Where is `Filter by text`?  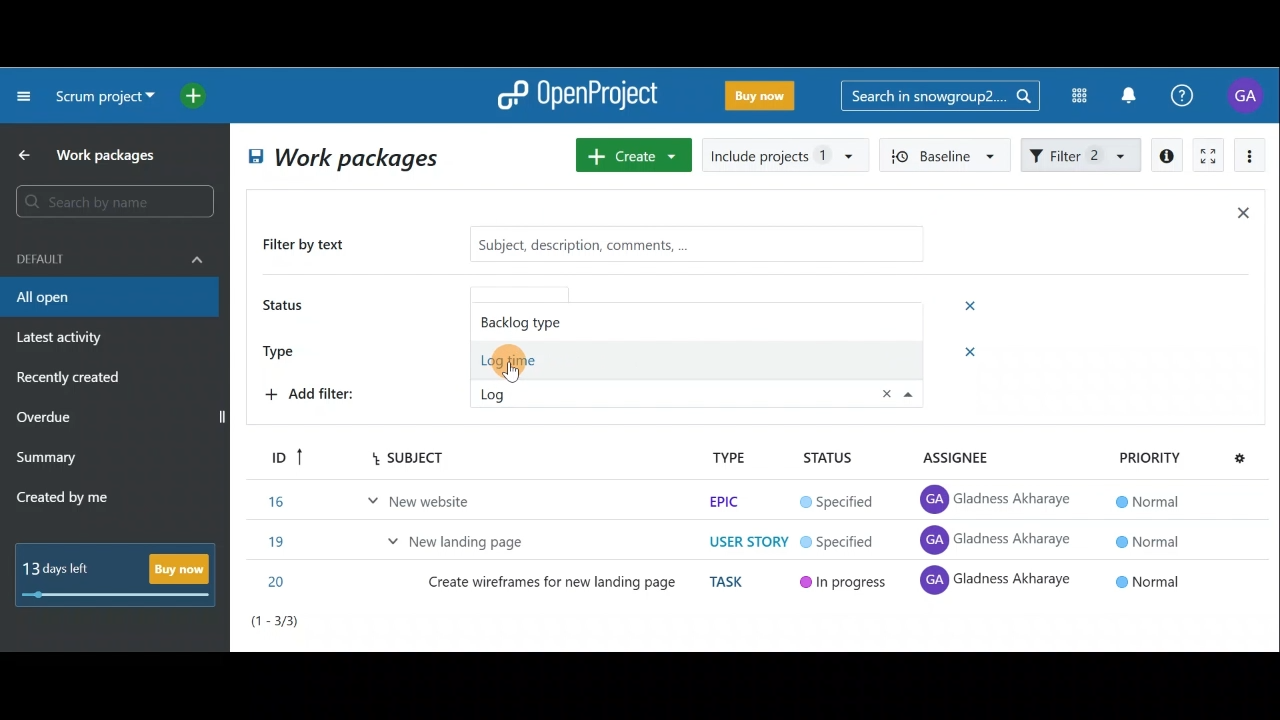 Filter by text is located at coordinates (312, 246).